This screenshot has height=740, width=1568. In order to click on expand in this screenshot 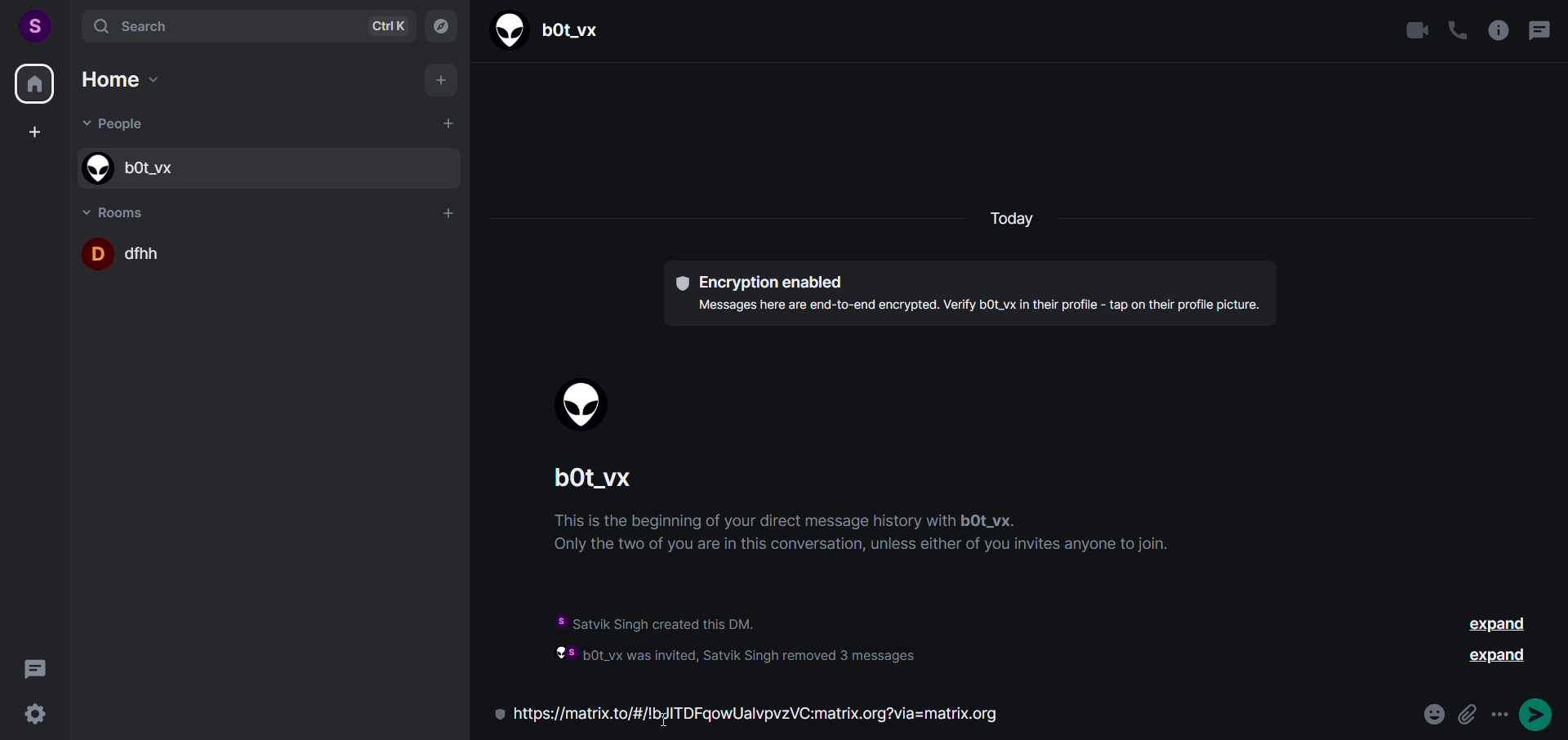, I will do `click(1497, 656)`.